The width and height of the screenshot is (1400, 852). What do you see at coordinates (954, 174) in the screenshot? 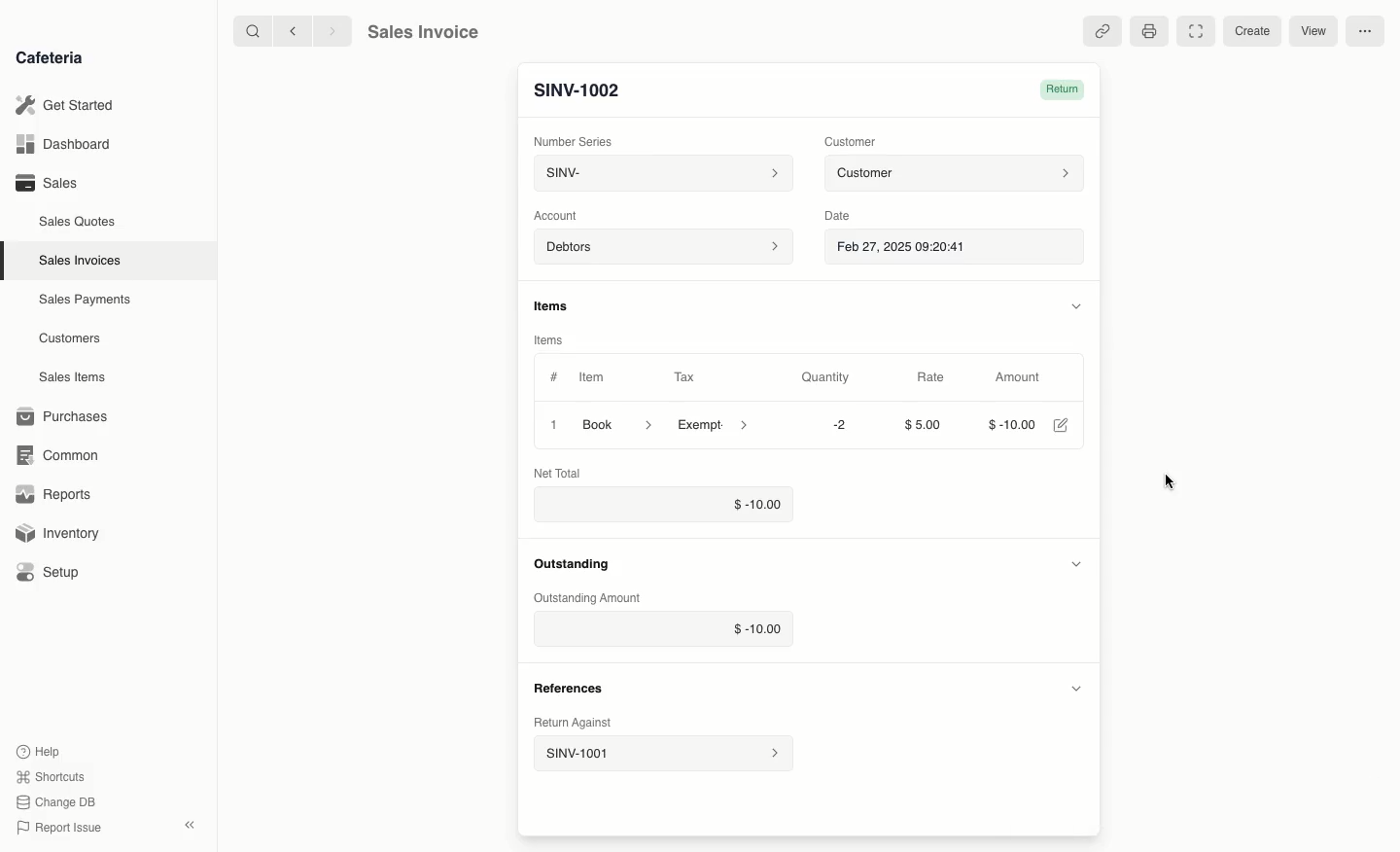
I see `Customer` at bounding box center [954, 174].